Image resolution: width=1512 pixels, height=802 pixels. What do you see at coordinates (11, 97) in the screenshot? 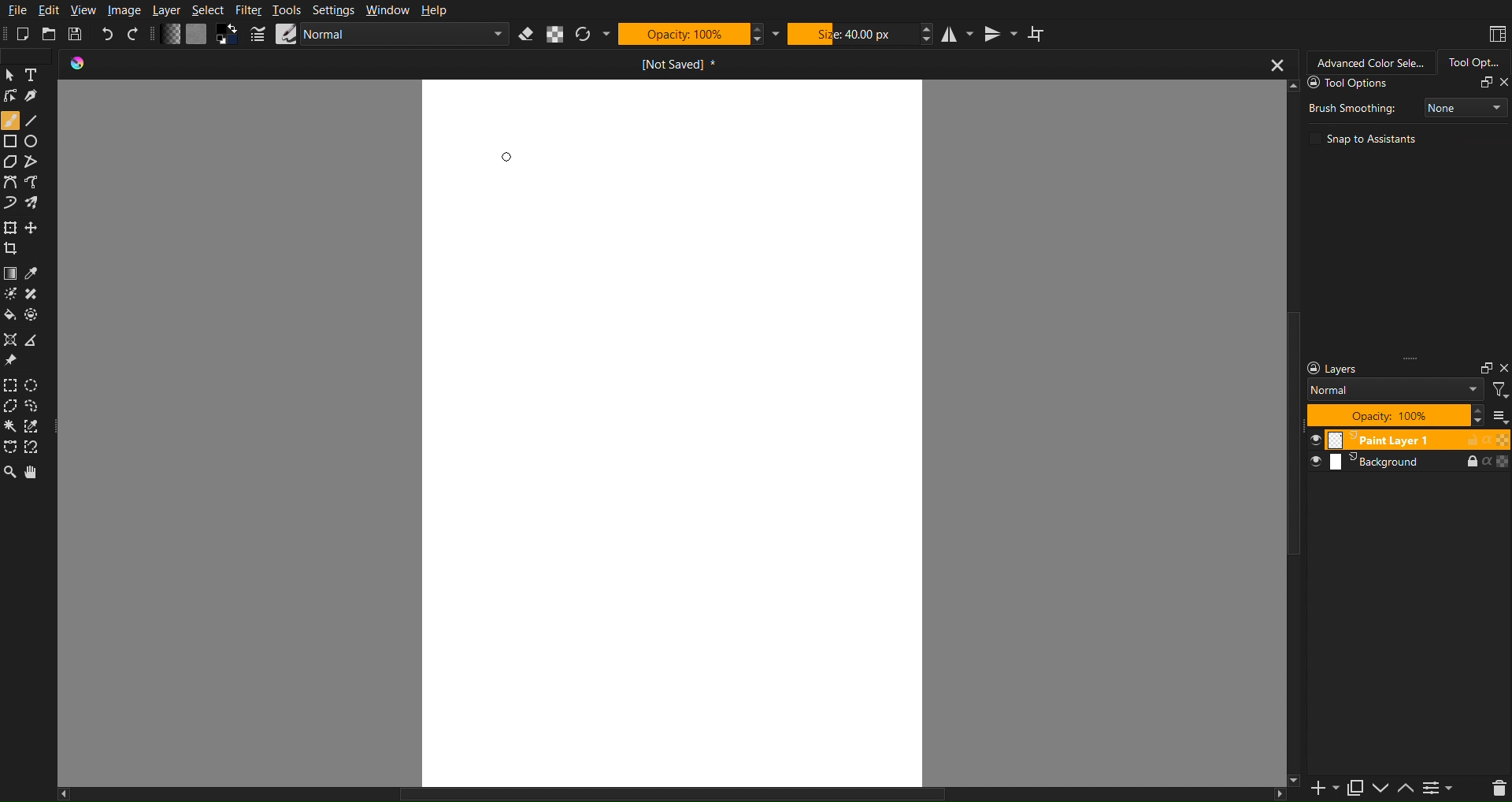
I see `Linework` at bounding box center [11, 97].